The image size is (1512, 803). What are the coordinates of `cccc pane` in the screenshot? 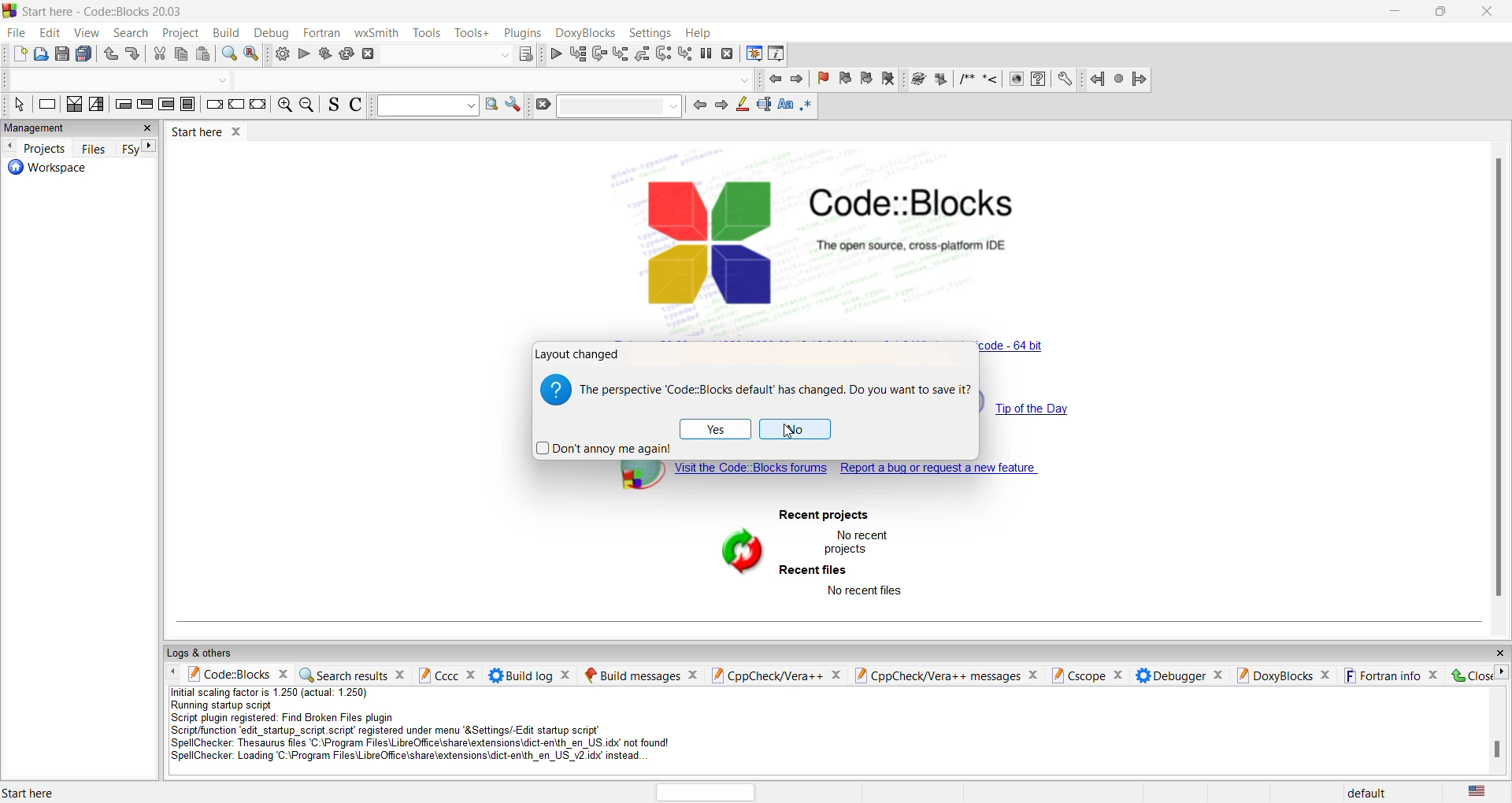 It's located at (450, 673).